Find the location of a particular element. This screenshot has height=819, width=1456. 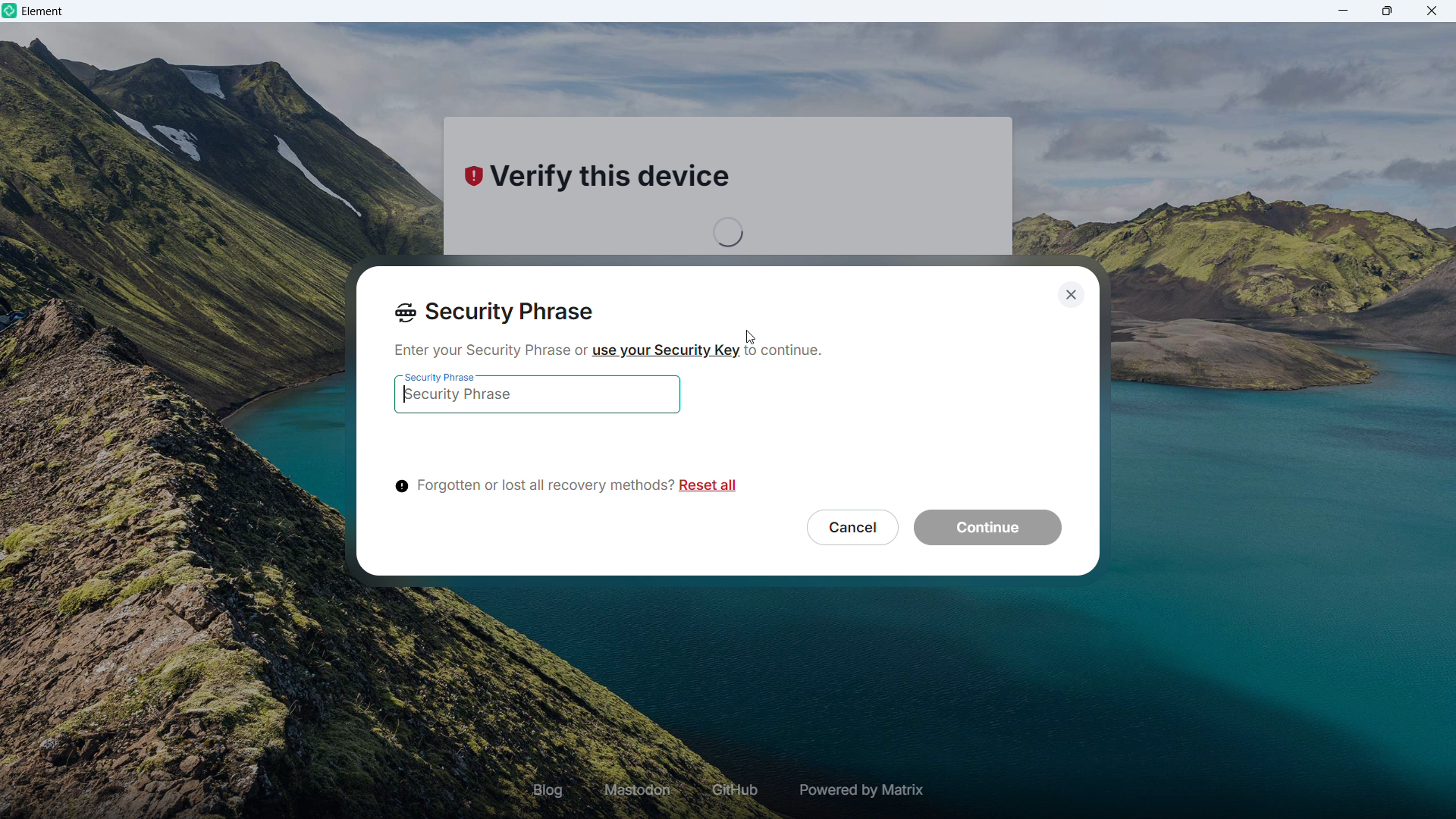

security phase is located at coordinates (440, 372).